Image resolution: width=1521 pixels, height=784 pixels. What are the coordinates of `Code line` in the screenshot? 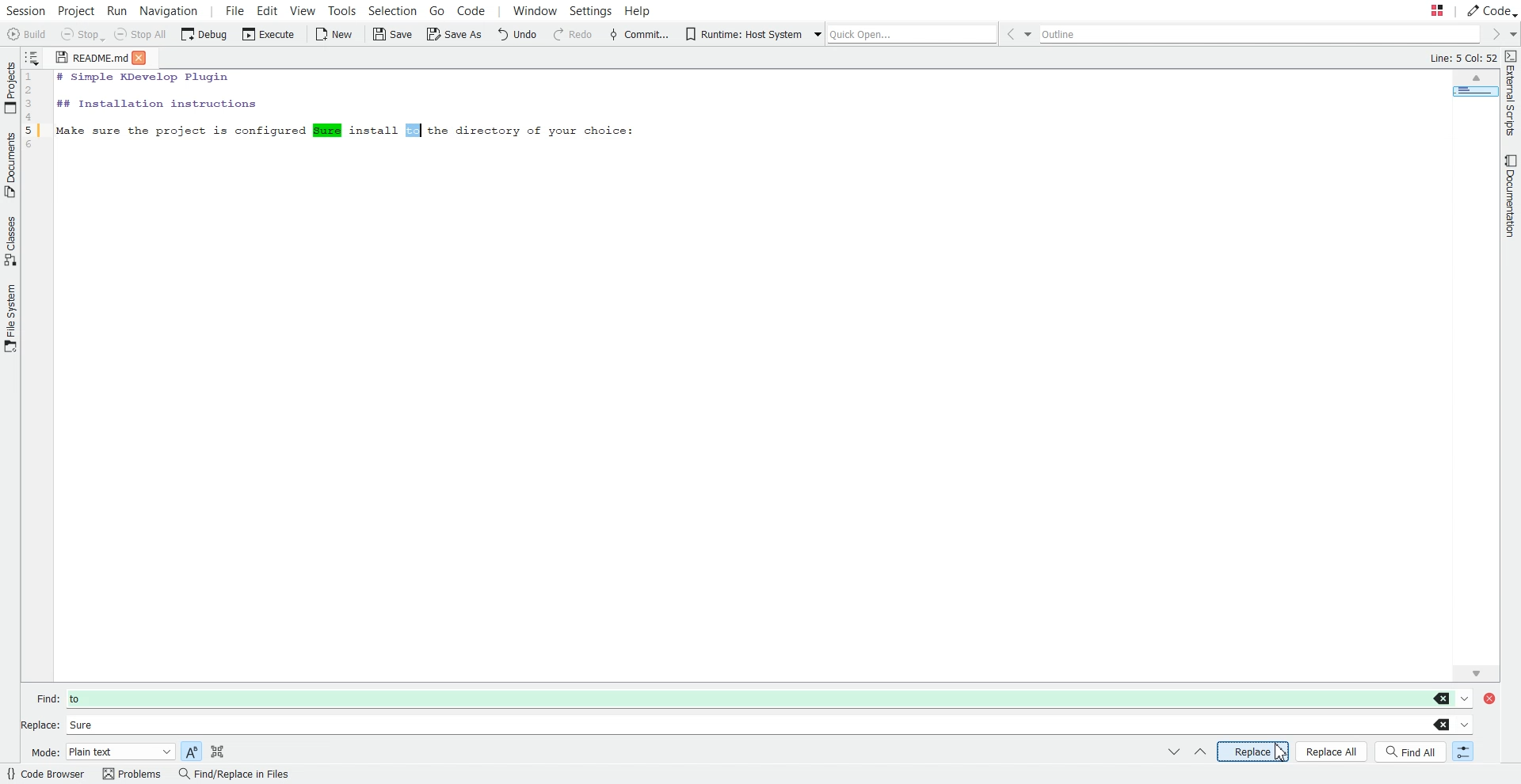 It's located at (35, 114).